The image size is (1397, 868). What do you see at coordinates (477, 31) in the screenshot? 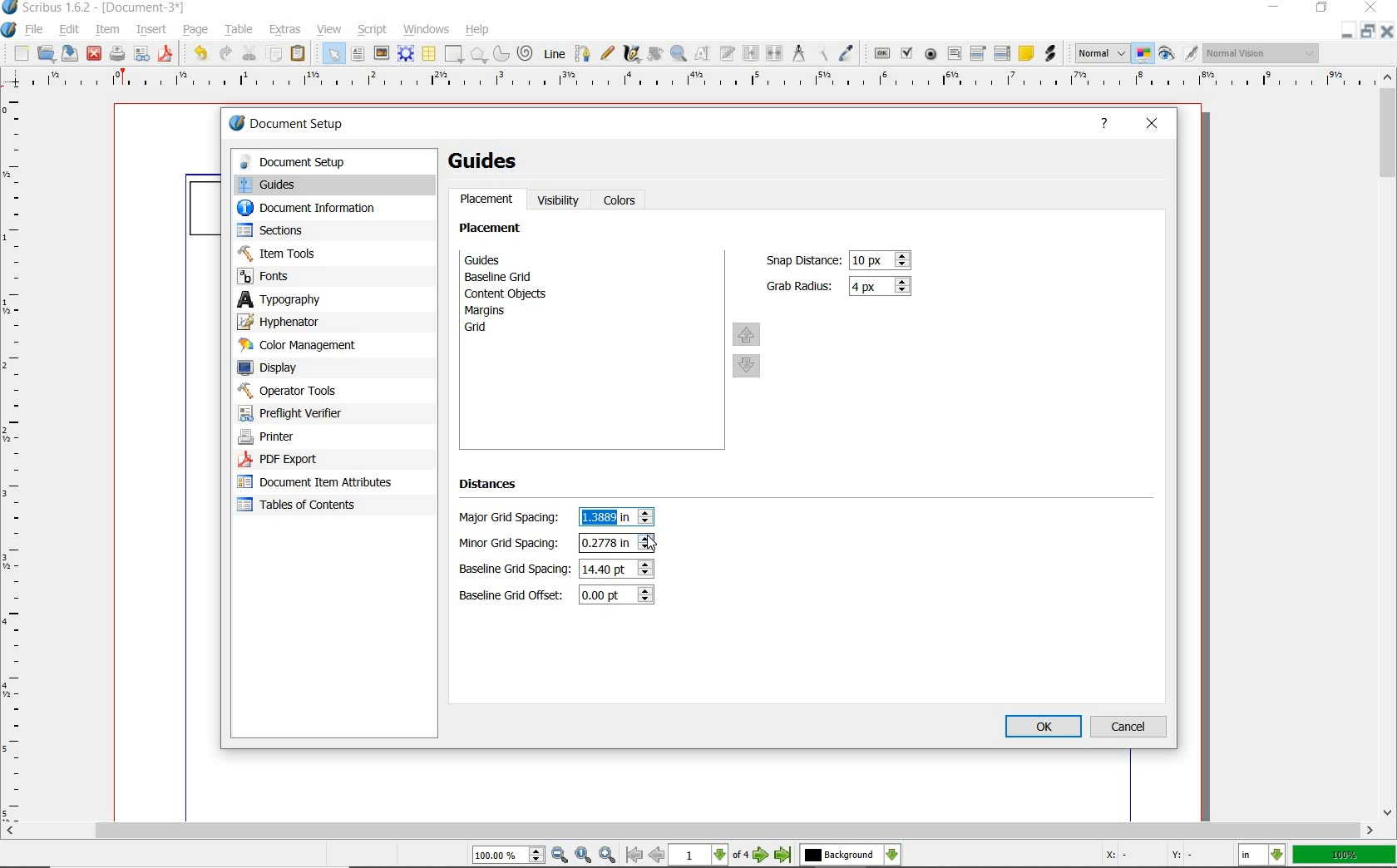
I see `help` at bounding box center [477, 31].